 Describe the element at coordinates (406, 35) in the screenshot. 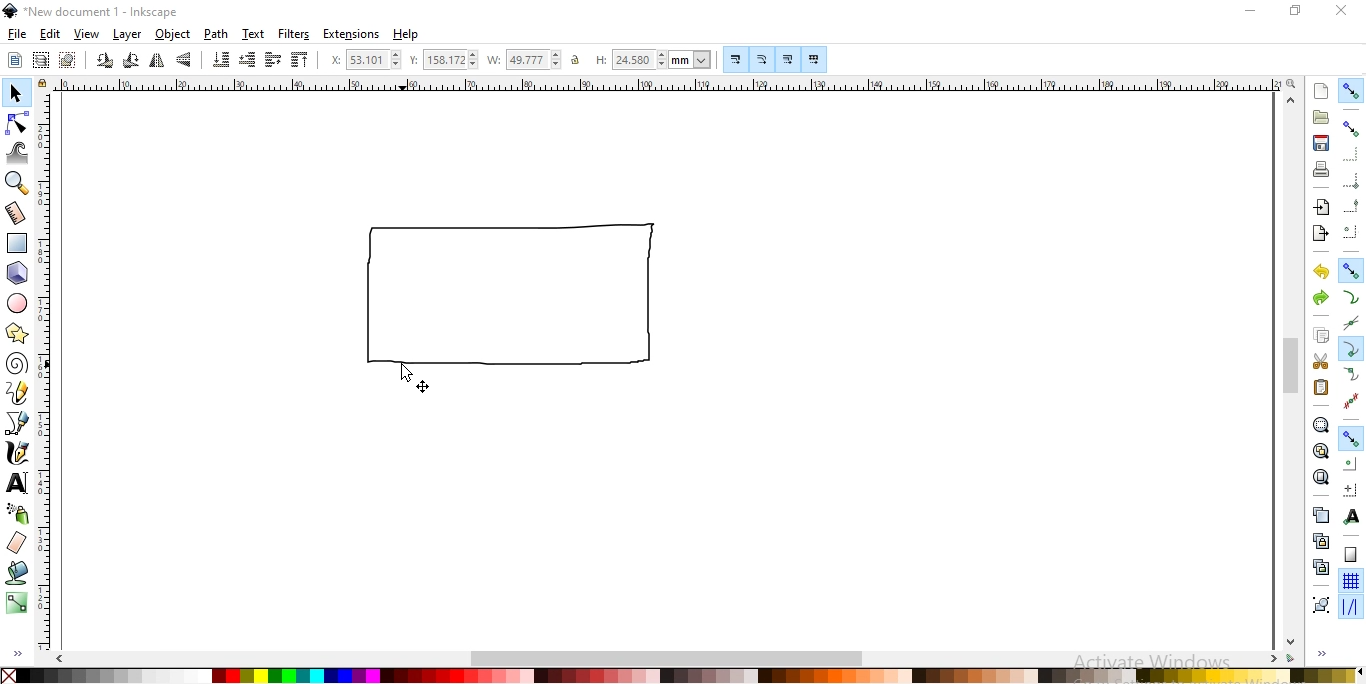

I see `help` at that location.